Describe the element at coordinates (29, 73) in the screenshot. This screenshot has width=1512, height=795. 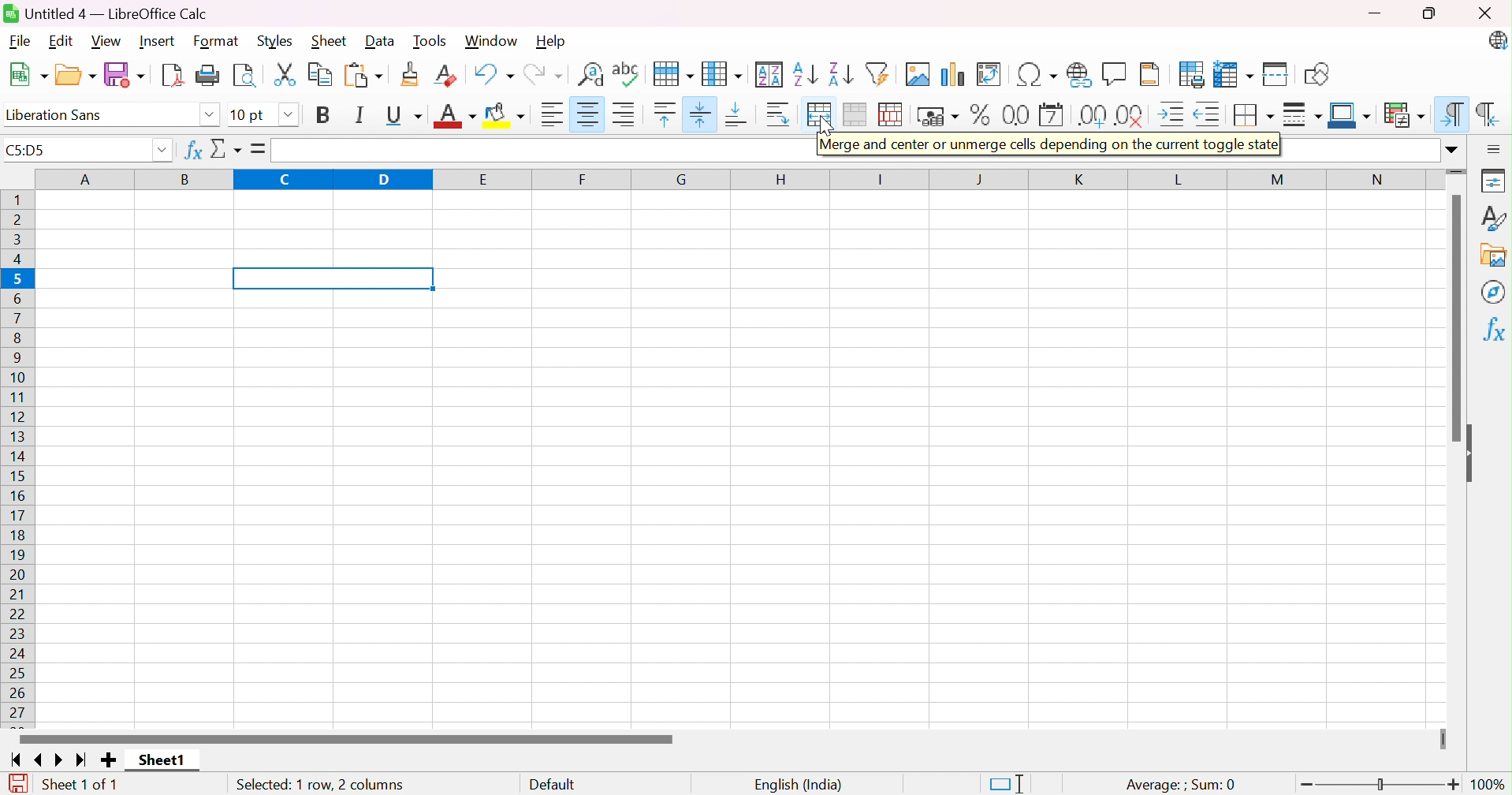
I see `New` at that location.